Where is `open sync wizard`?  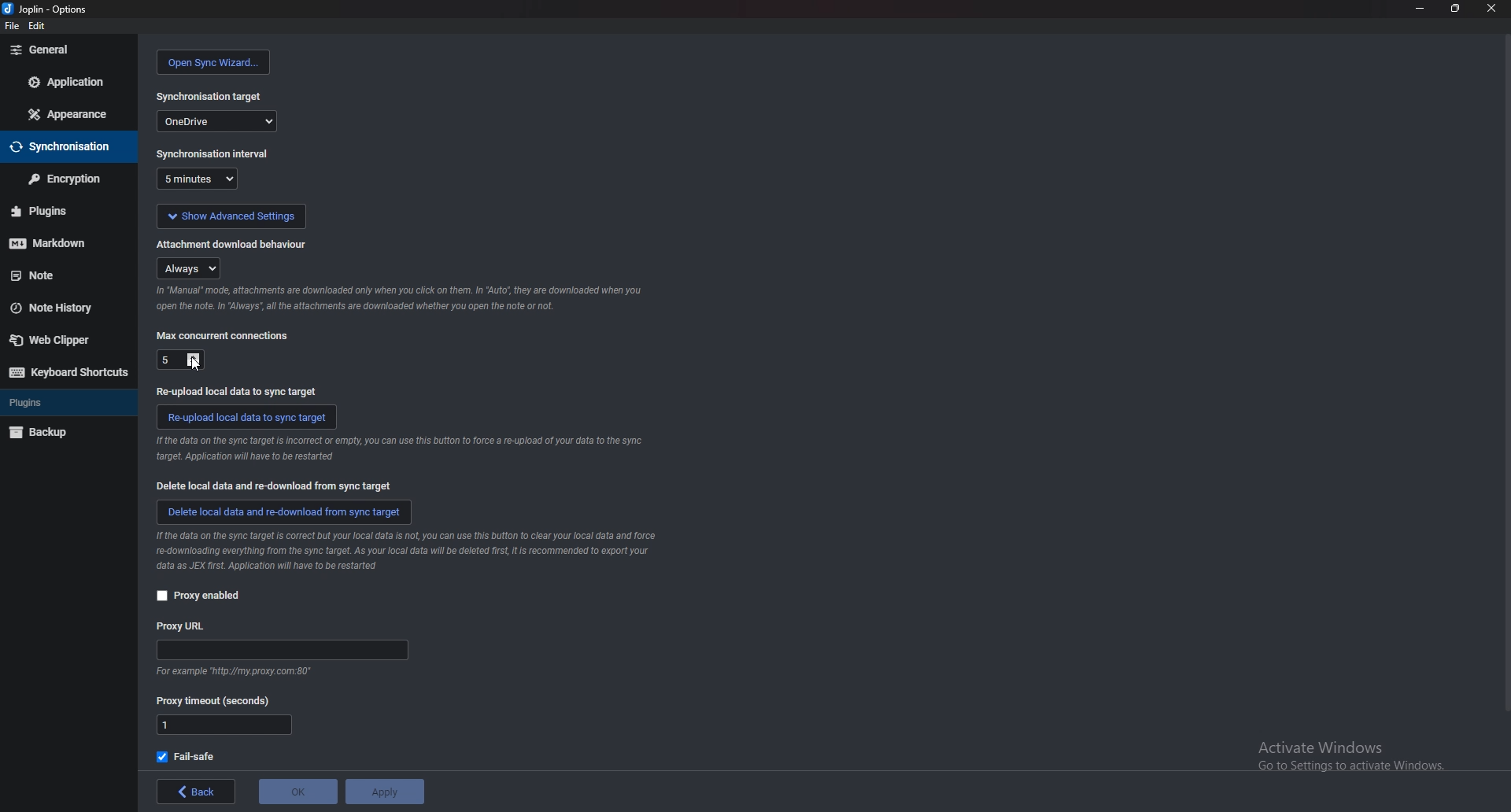 open sync wizard is located at coordinates (216, 62).